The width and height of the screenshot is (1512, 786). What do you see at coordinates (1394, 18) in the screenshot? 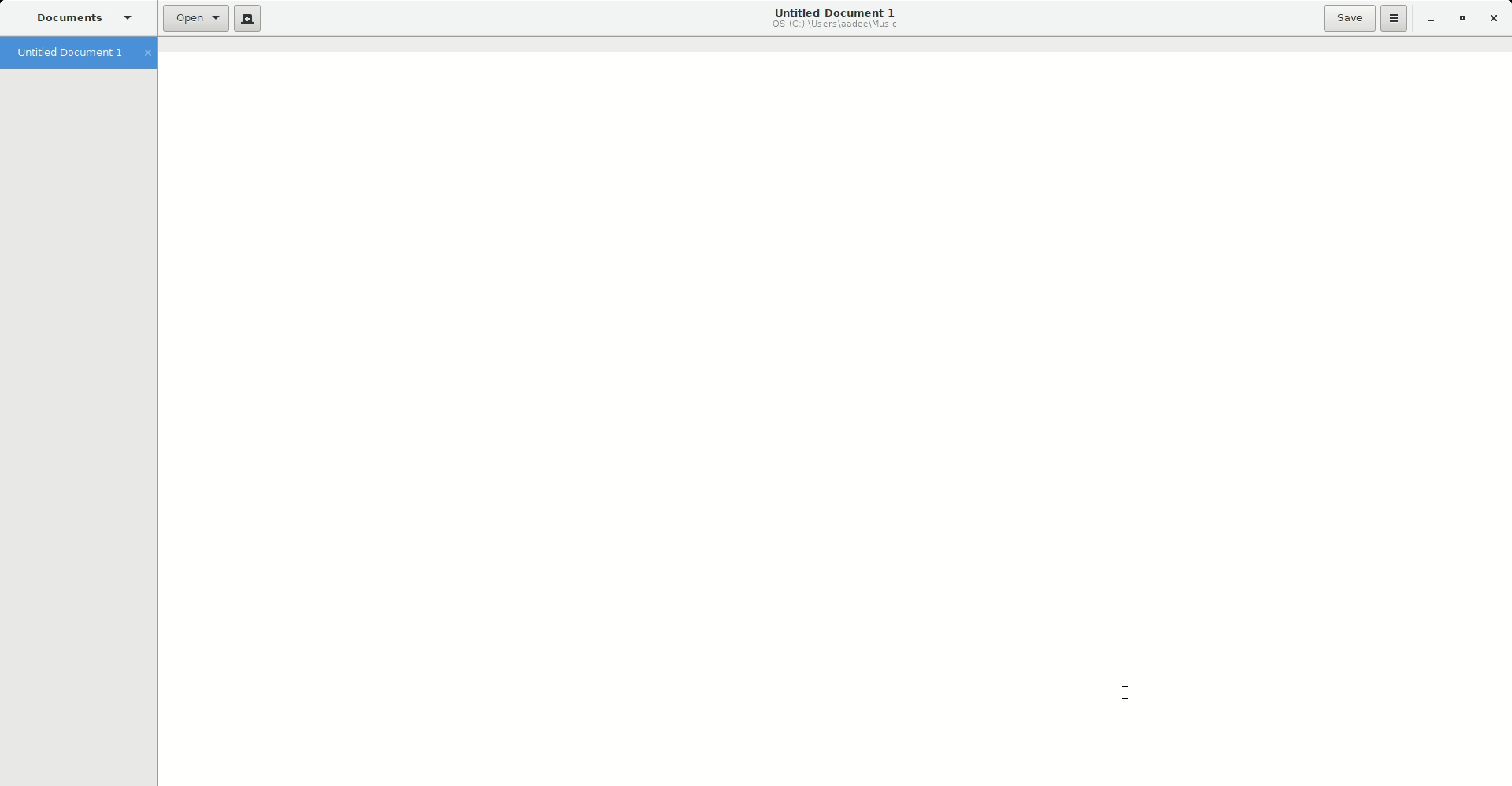
I see `Options` at bounding box center [1394, 18].